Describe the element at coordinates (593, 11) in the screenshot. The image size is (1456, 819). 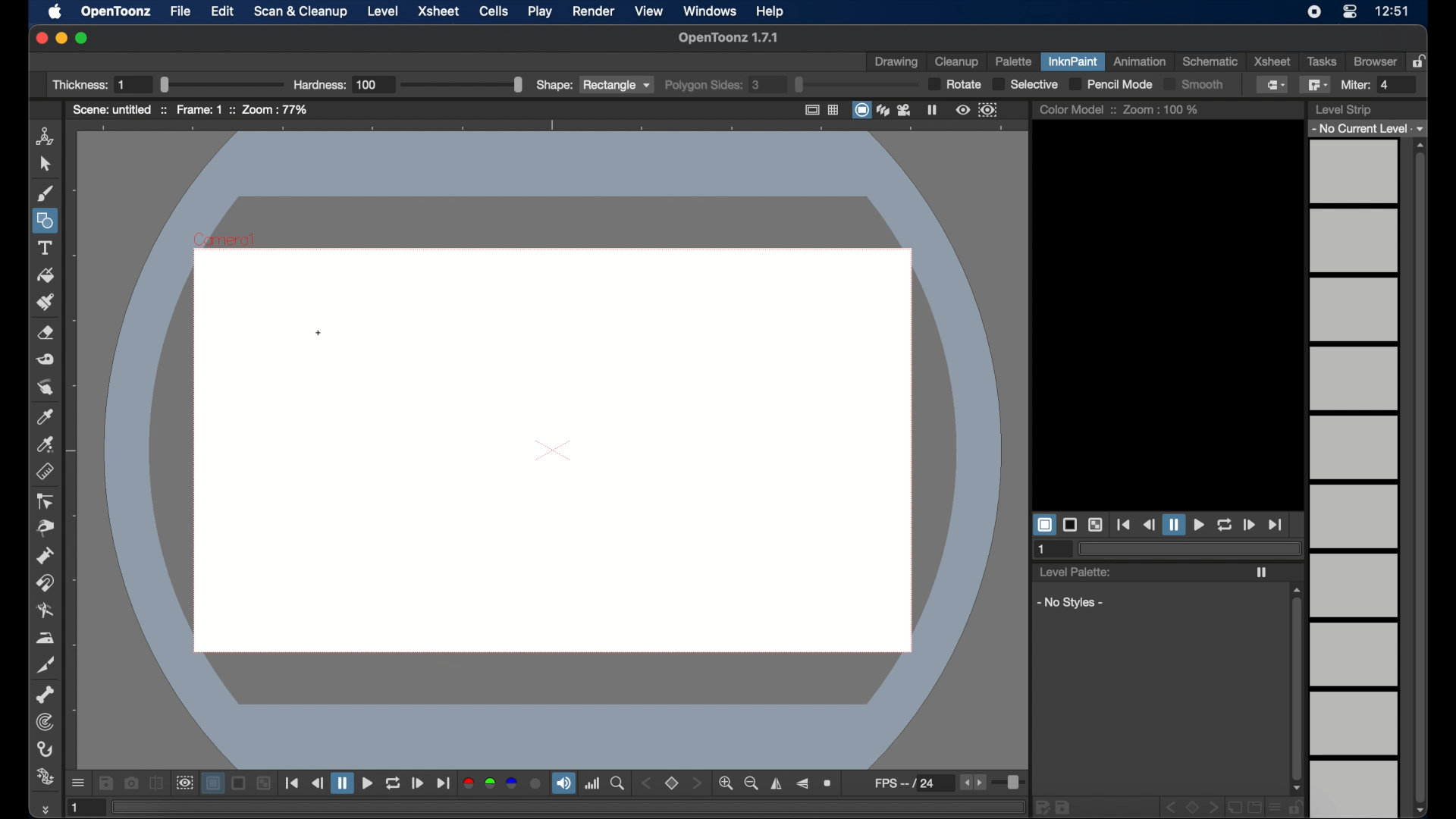
I see `render` at that location.